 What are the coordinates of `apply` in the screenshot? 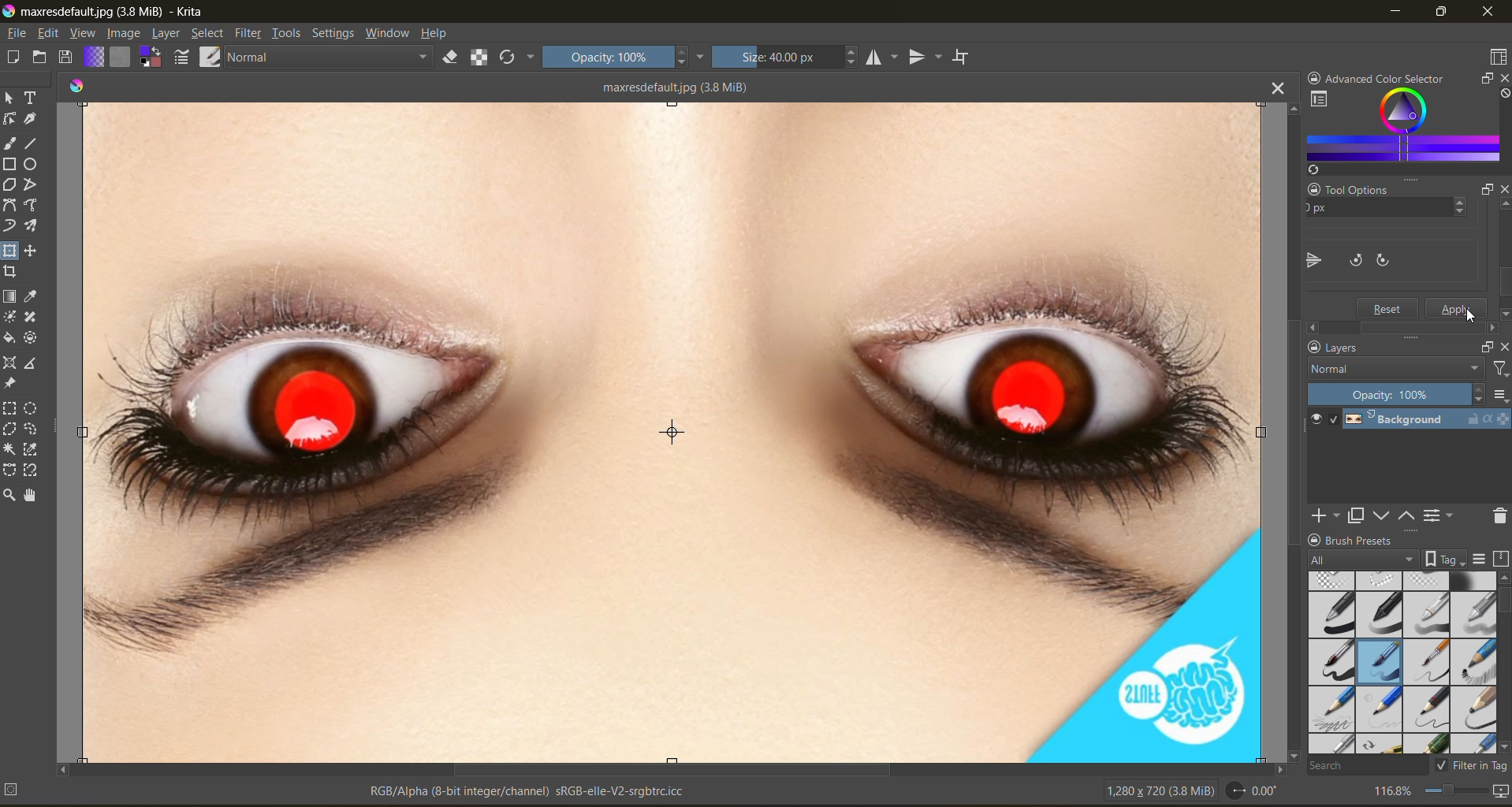 It's located at (1458, 307).